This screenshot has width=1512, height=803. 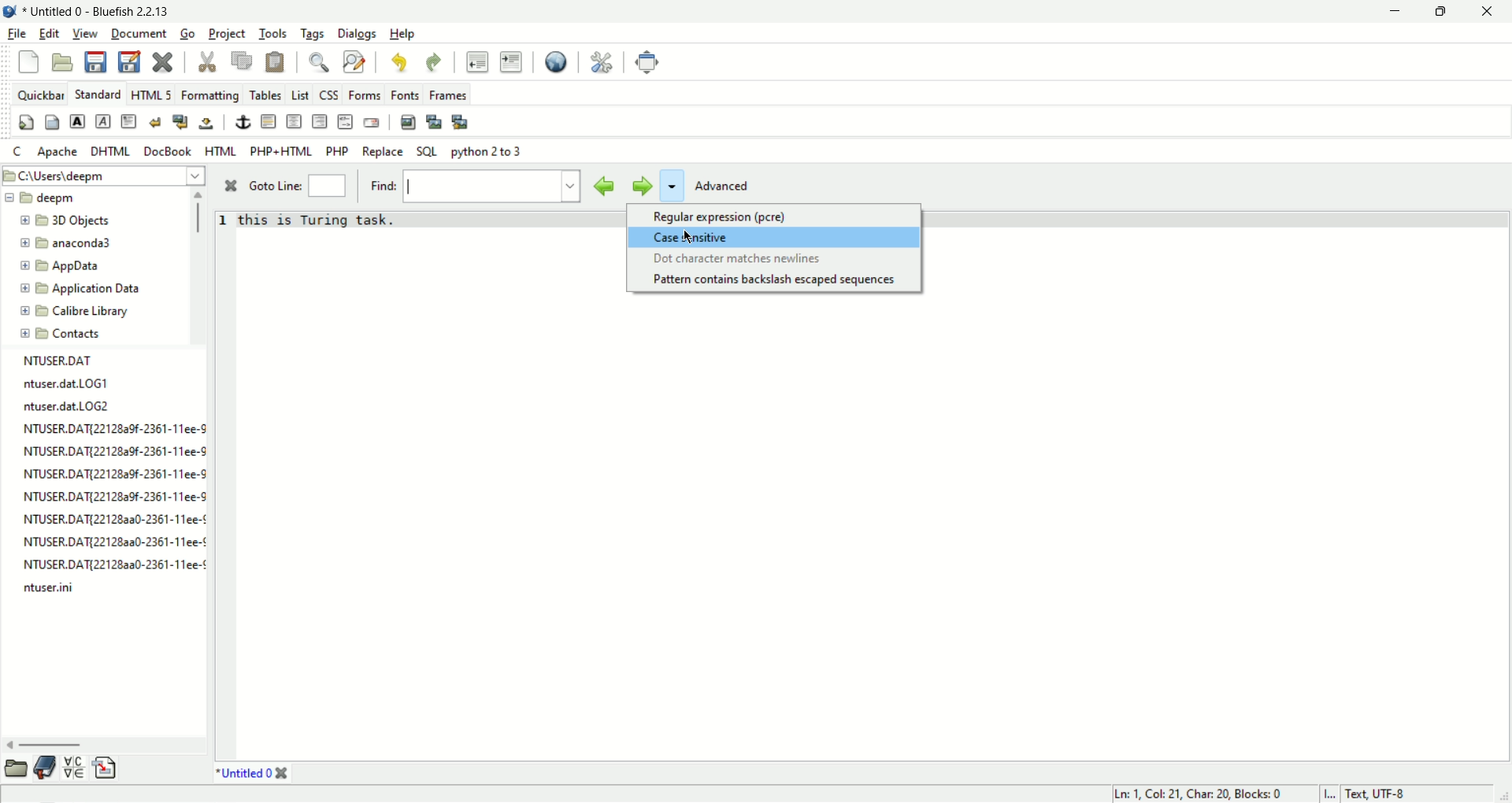 I want to click on list, so click(x=302, y=96).